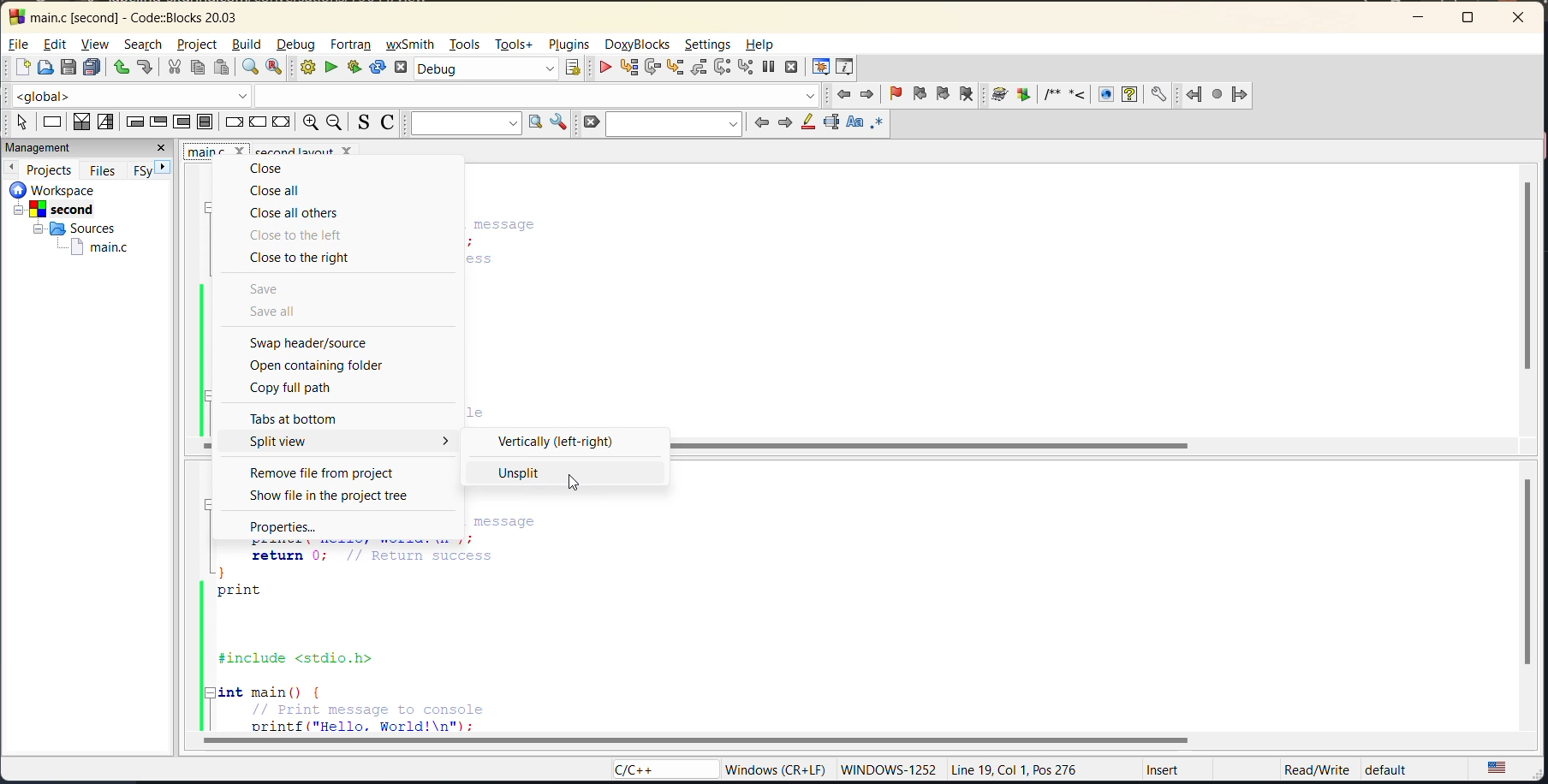 This screenshot has width=1548, height=784. Describe the element at coordinates (181, 122) in the screenshot. I see `counting loop` at that location.